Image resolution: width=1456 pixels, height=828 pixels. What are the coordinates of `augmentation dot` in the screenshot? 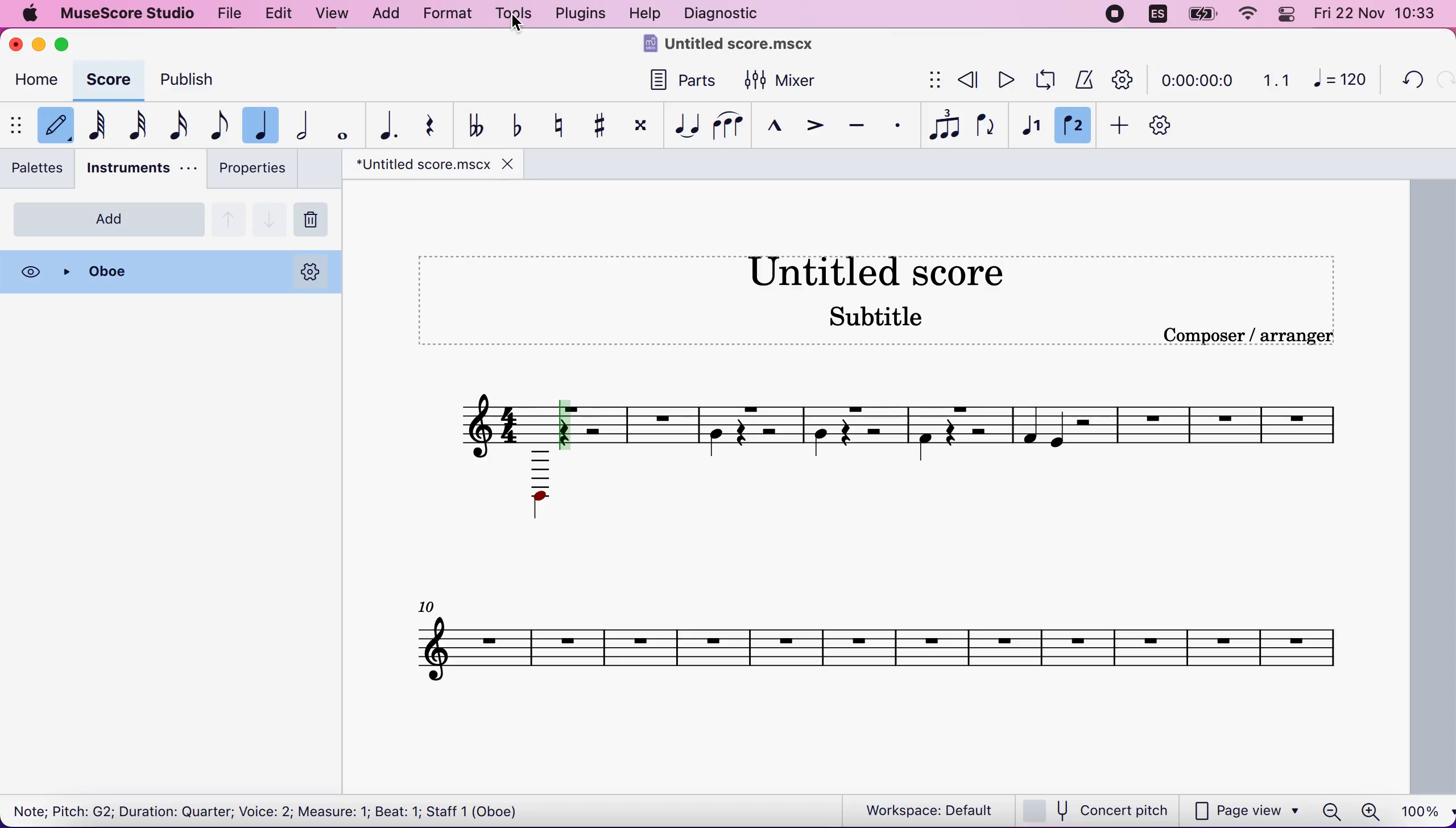 It's located at (391, 124).